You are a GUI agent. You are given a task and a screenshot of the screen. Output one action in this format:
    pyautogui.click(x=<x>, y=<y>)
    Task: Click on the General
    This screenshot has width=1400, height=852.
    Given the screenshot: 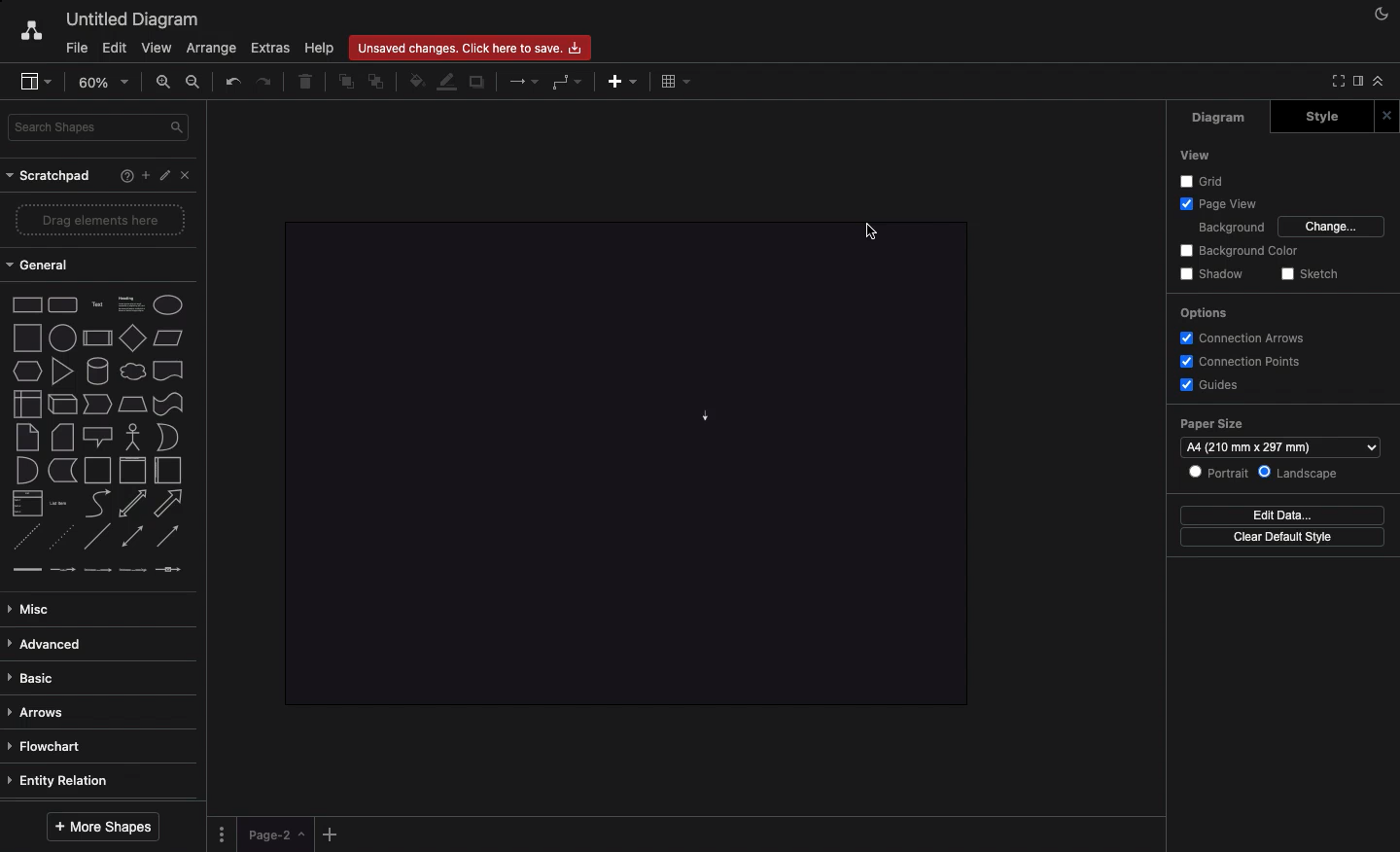 What is the action you would take?
    pyautogui.click(x=47, y=265)
    